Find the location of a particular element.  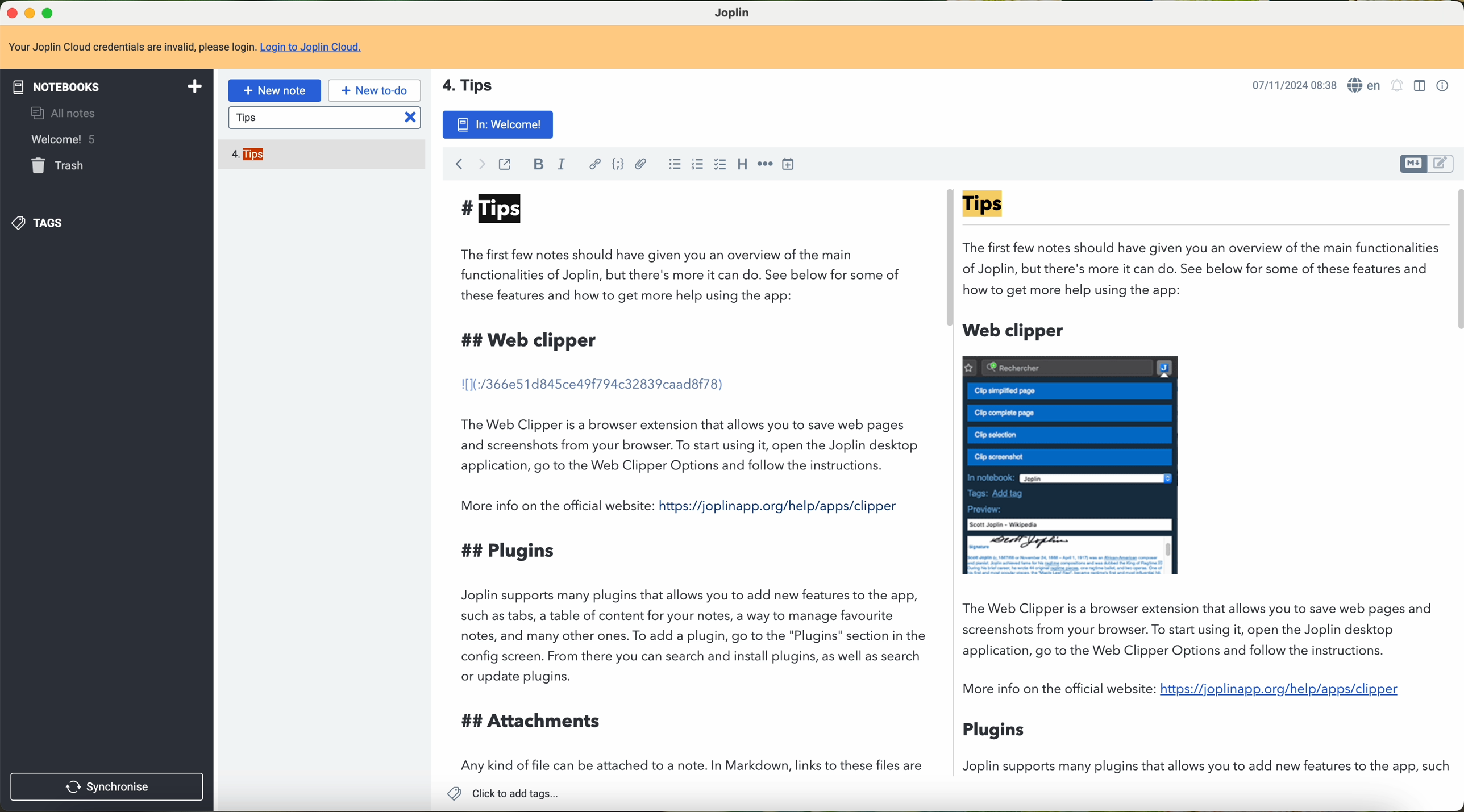

Tips

The first few notes should have given you an overview of the main
functionalities of Joplin, but there's more it can do. See below for some of
these features and how to get more help using the app:

## Web clipper

I[1(:/366e51d845ce49f794c32839caad8f78)

The Web Clipper is a browser extension that allows you to save web pages
and screenshots from your browser. To start using it, open the Joplin desktop
application, go to the Web Clipper Options and follow the instructions.

More info on the official website: https://joplinapp.org/help/apps/clipper
## Plugins

Joplin supports many plugins that allows you to add new features to the app,
such as tabs, a table of content for your notes, a way to manage favourite
notes, and many other ones. To add a plugin, go to the "Plugins" section in the
config screen. From there you can search and install plugins, as well as search
or update plugins.

## Attachments

Any kind of file can be attached to a note. In Markdown, links to these files are is located at coordinates (663, 485).